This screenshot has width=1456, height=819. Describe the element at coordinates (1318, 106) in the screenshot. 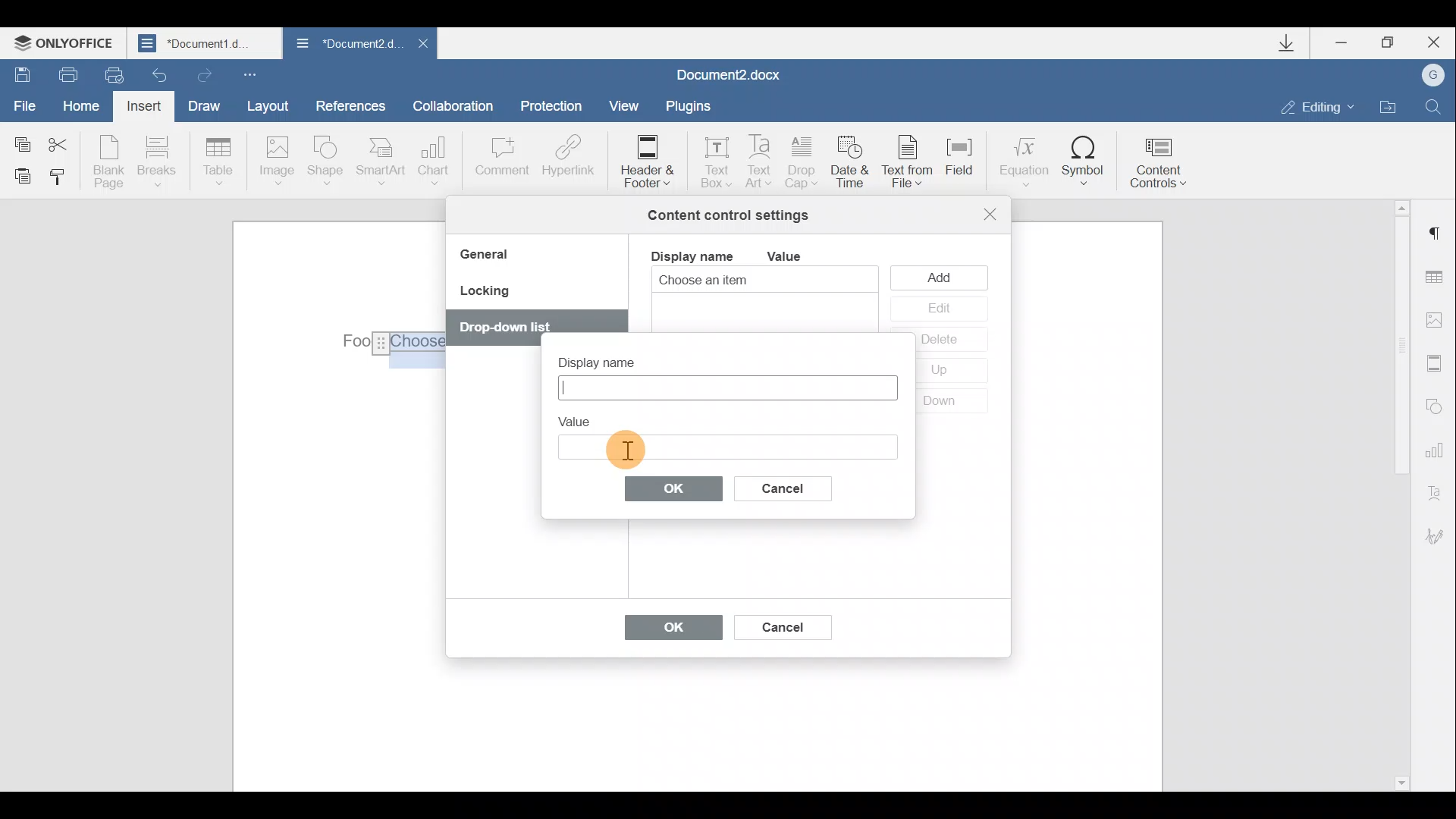

I see `Editing mode` at that location.